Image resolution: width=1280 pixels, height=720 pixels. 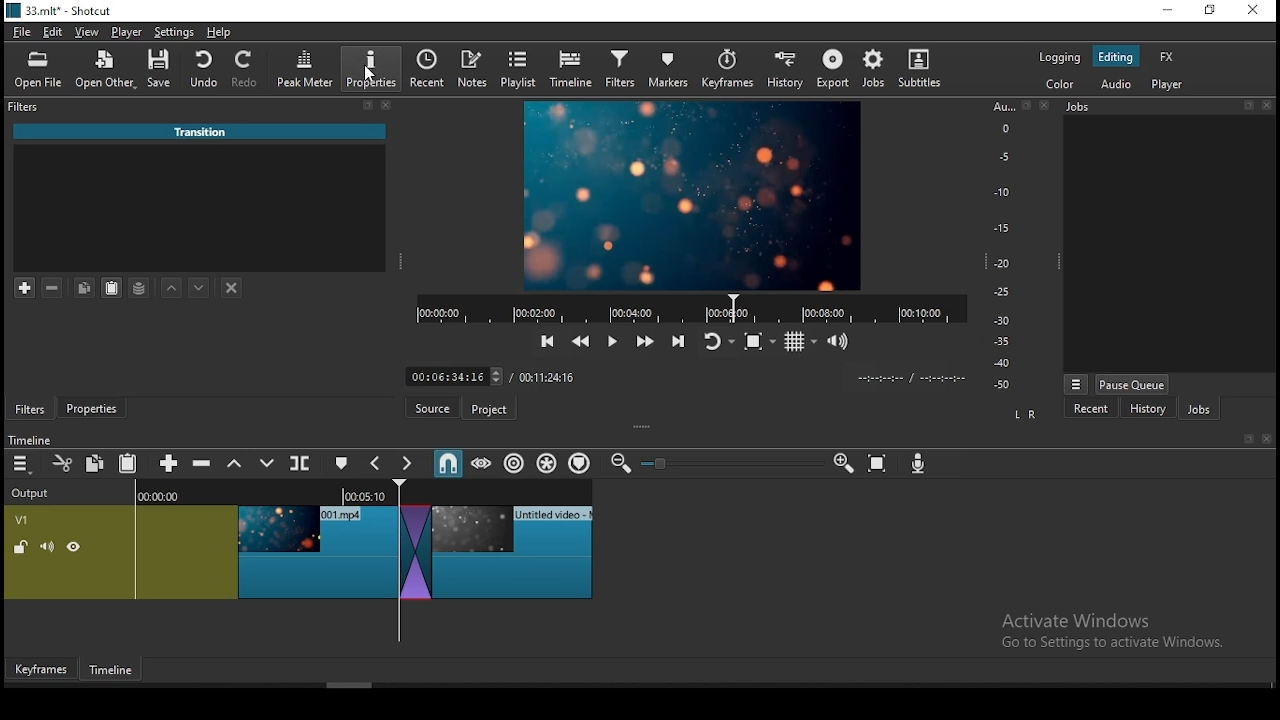 I want to click on view, so click(x=90, y=34).